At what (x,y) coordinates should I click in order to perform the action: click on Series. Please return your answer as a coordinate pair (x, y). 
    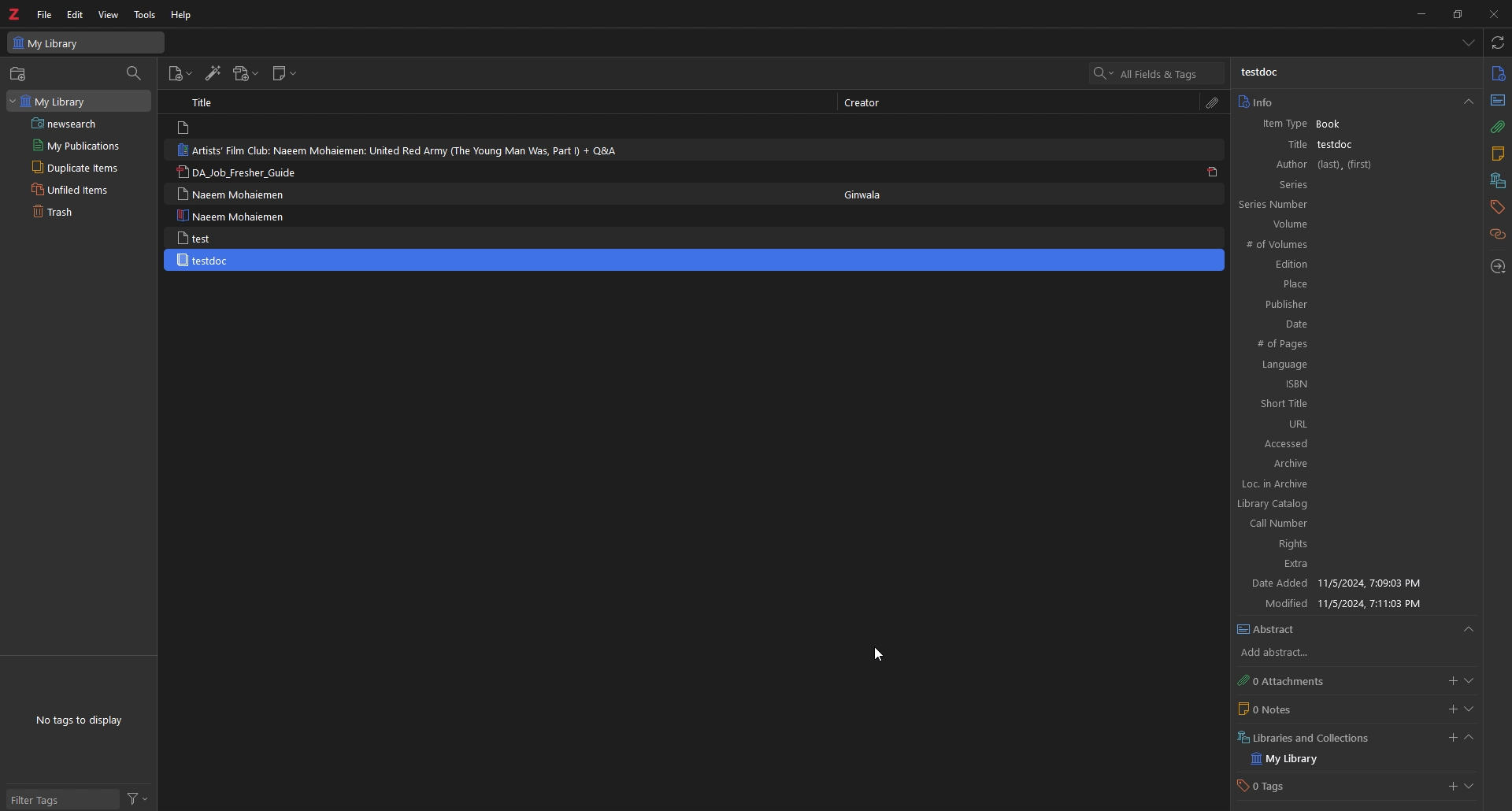
    Looking at the image, I should click on (1353, 184).